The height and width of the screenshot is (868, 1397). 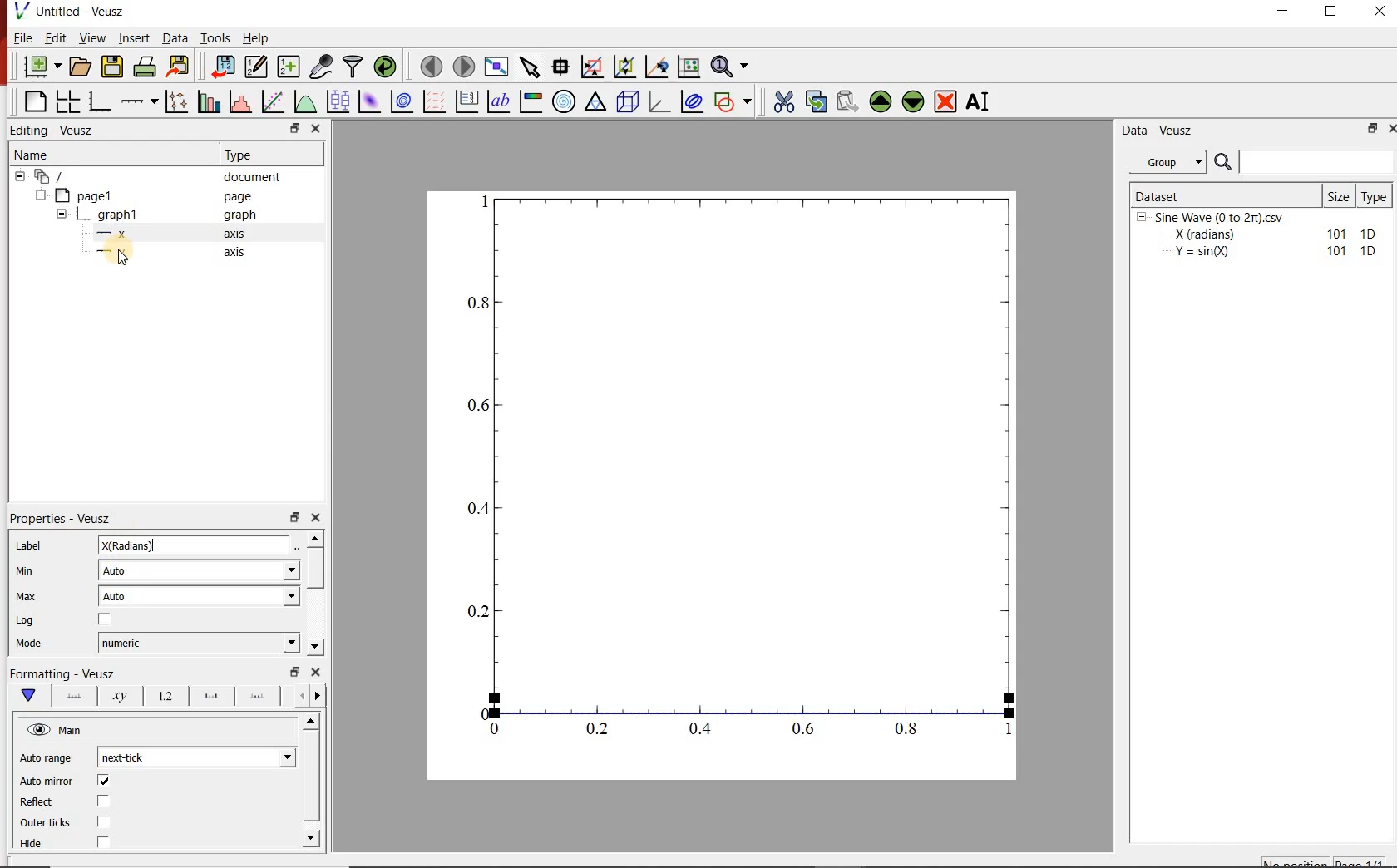 What do you see at coordinates (1332, 12) in the screenshot?
I see `Maximize` at bounding box center [1332, 12].